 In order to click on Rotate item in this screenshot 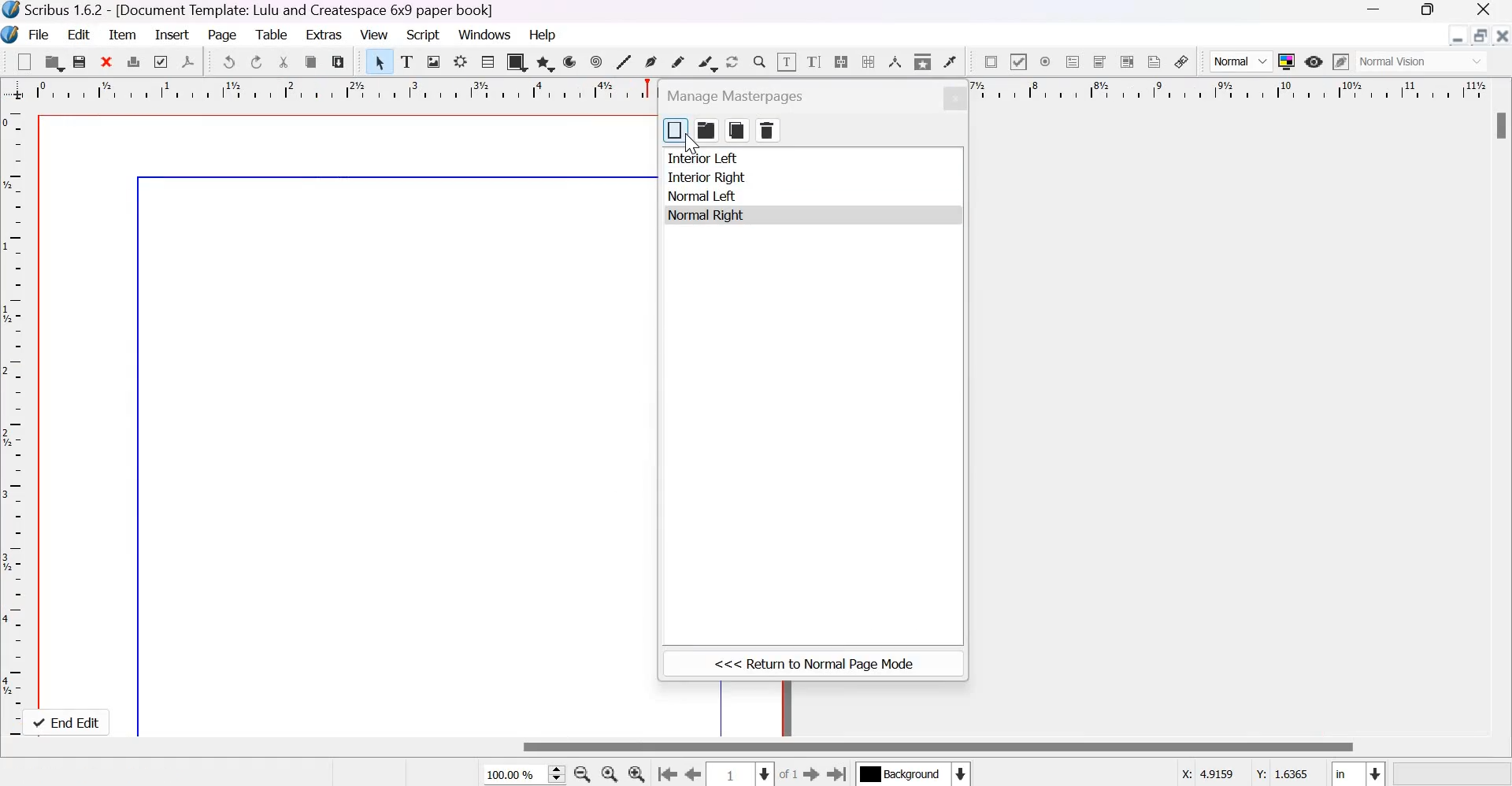, I will do `click(732, 61)`.